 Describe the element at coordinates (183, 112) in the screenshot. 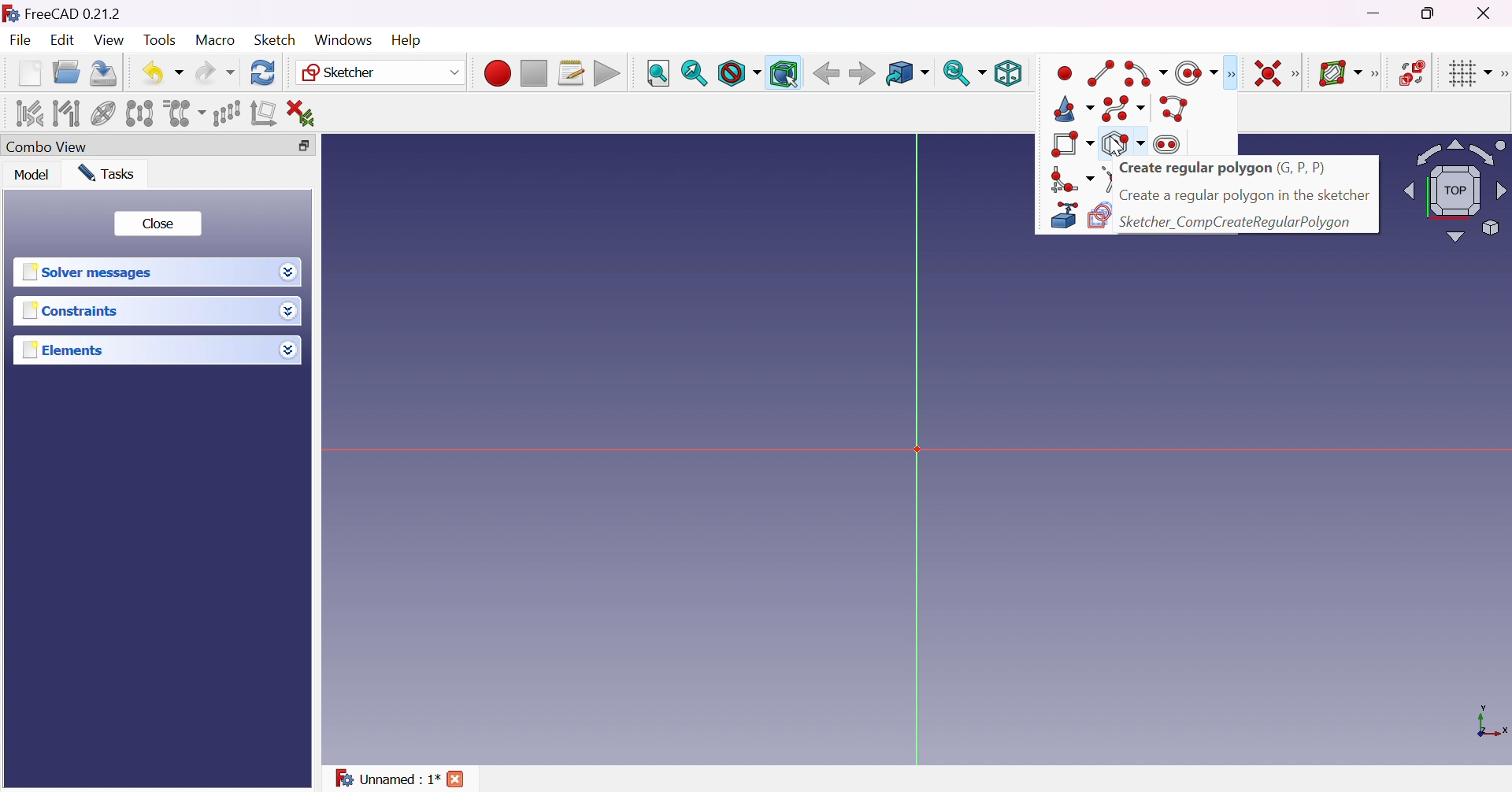

I see `Clone` at that location.